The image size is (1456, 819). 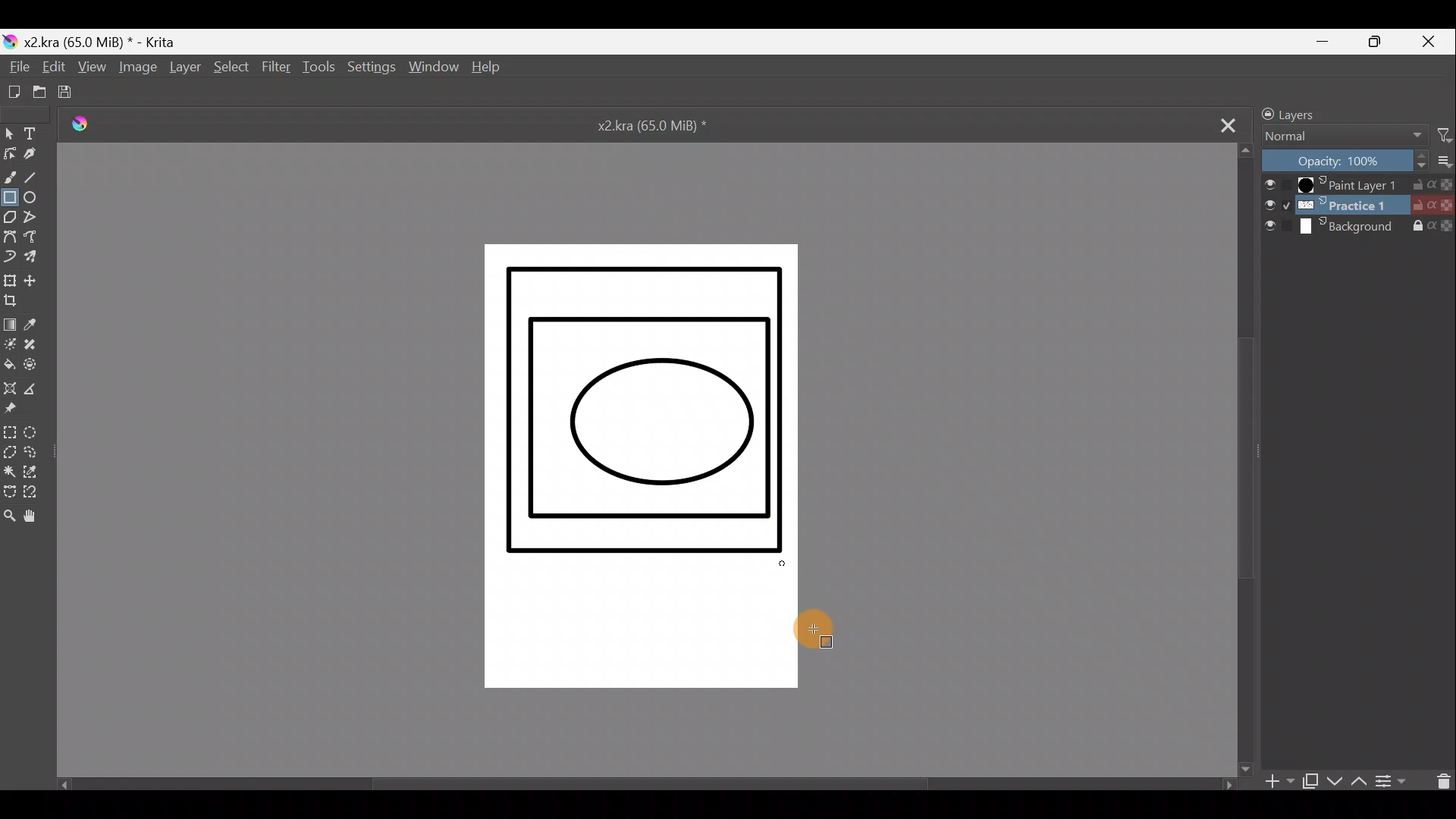 I want to click on Select shapes tool, so click(x=9, y=133).